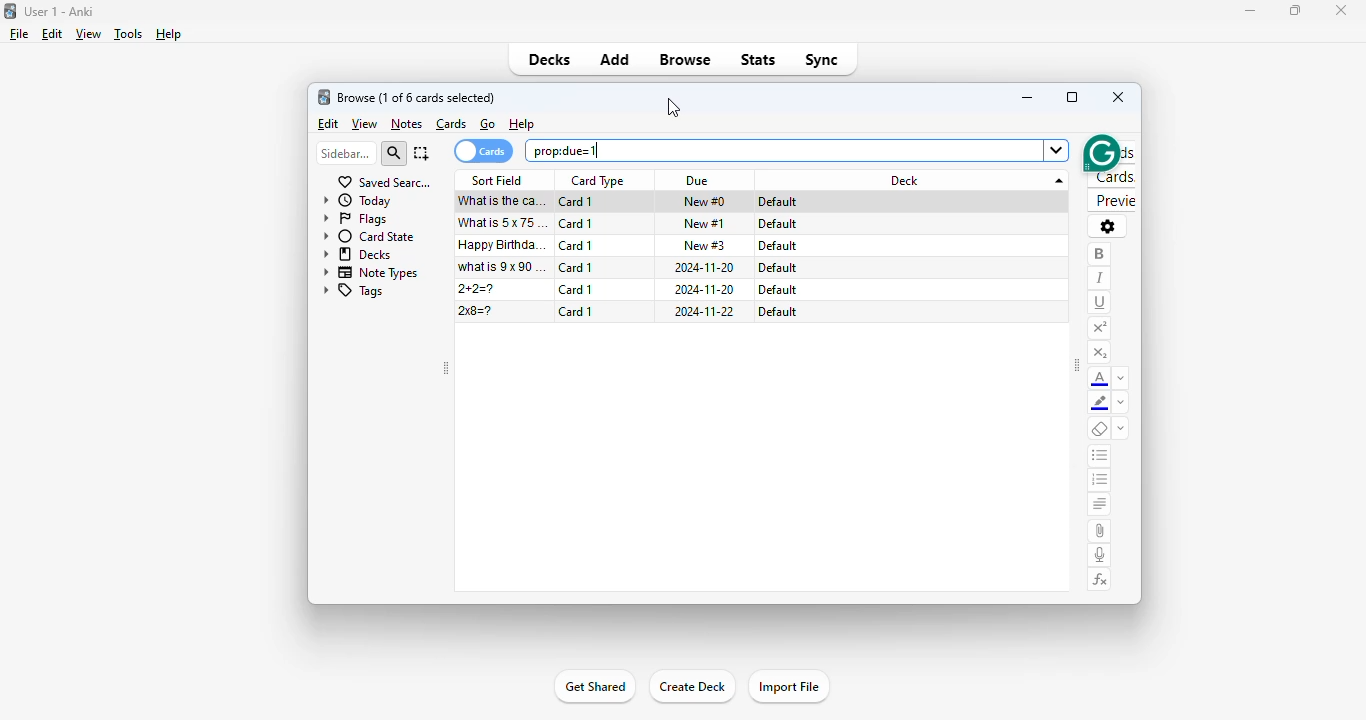 This screenshot has height=720, width=1366. I want to click on select formatting to remove, so click(1121, 429).